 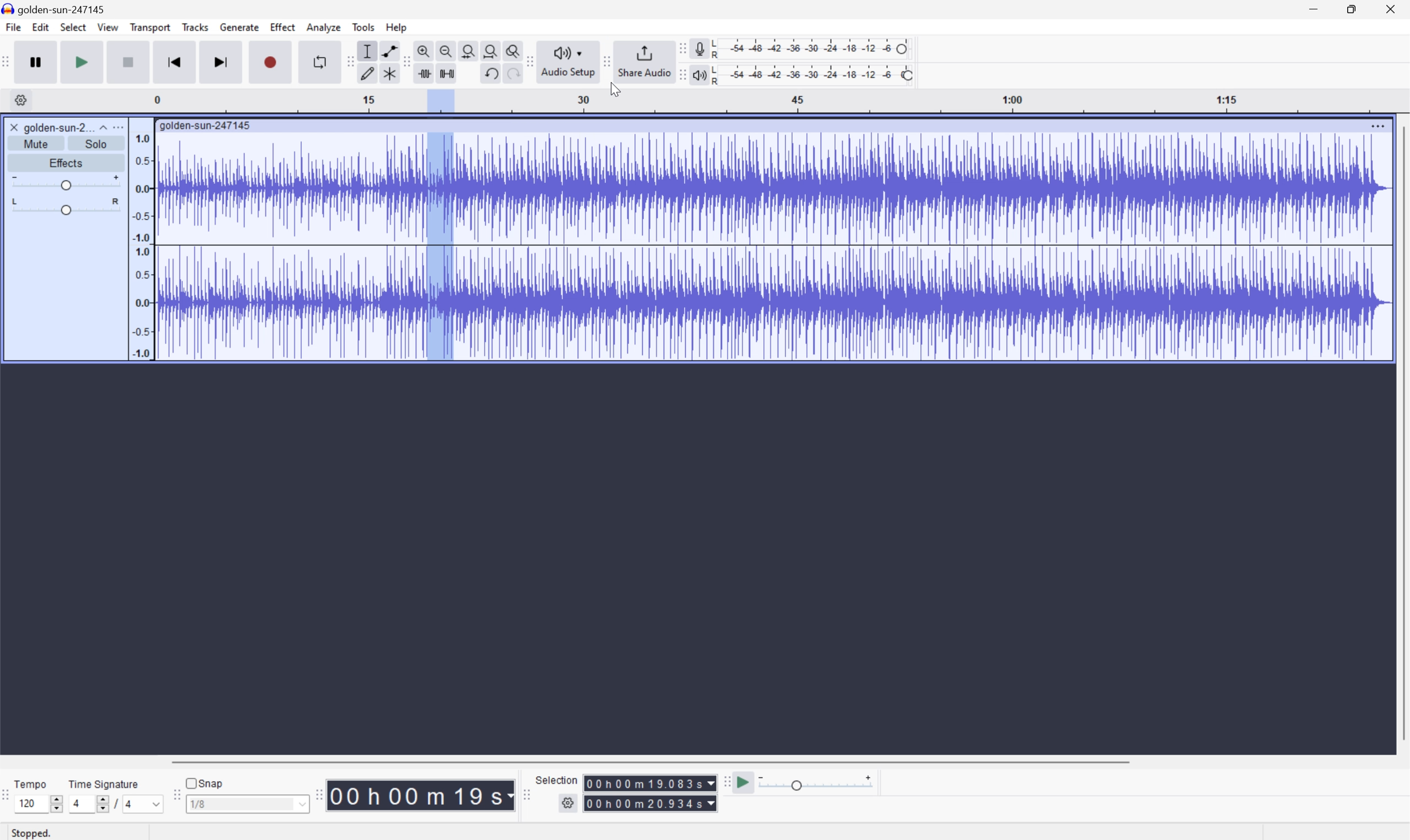 I want to click on Scale, so click(x=782, y=101).